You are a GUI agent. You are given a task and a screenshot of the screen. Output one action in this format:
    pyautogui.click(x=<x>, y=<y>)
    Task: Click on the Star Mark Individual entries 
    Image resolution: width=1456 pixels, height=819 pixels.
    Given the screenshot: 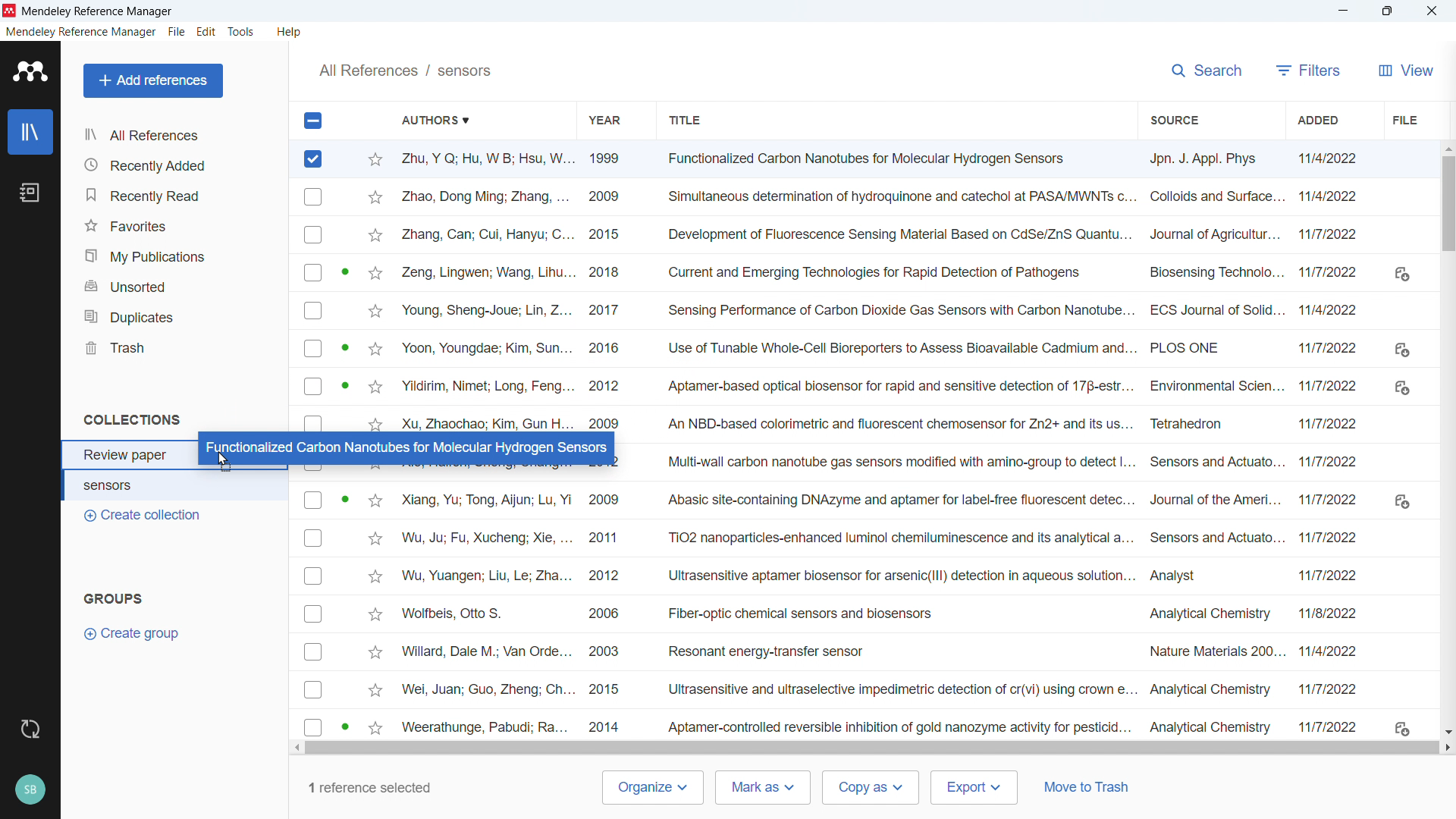 What is the action you would take?
    pyautogui.click(x=373, y=288)
    